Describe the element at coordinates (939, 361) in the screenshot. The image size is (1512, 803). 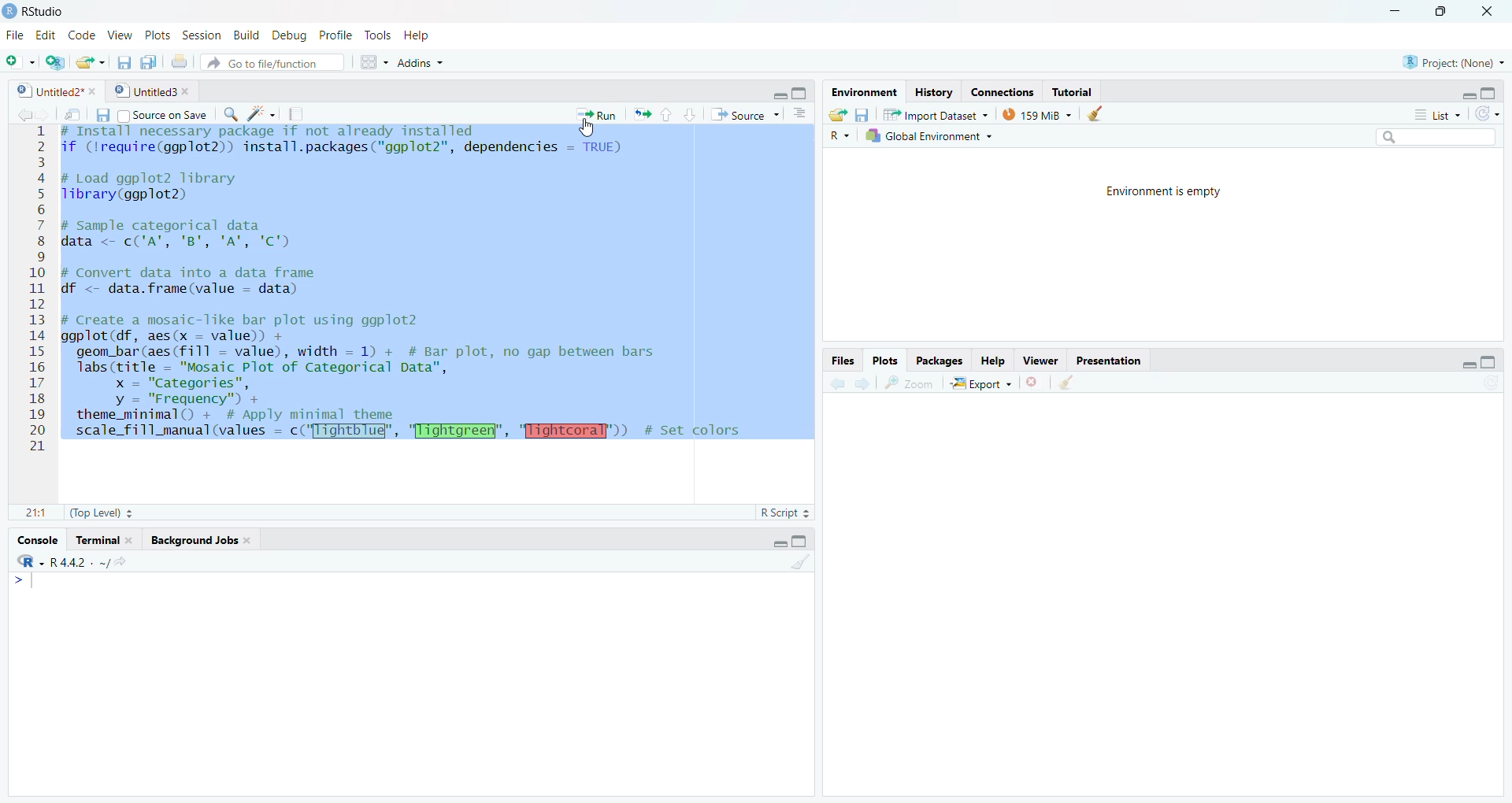
I see `Packages` at that location.